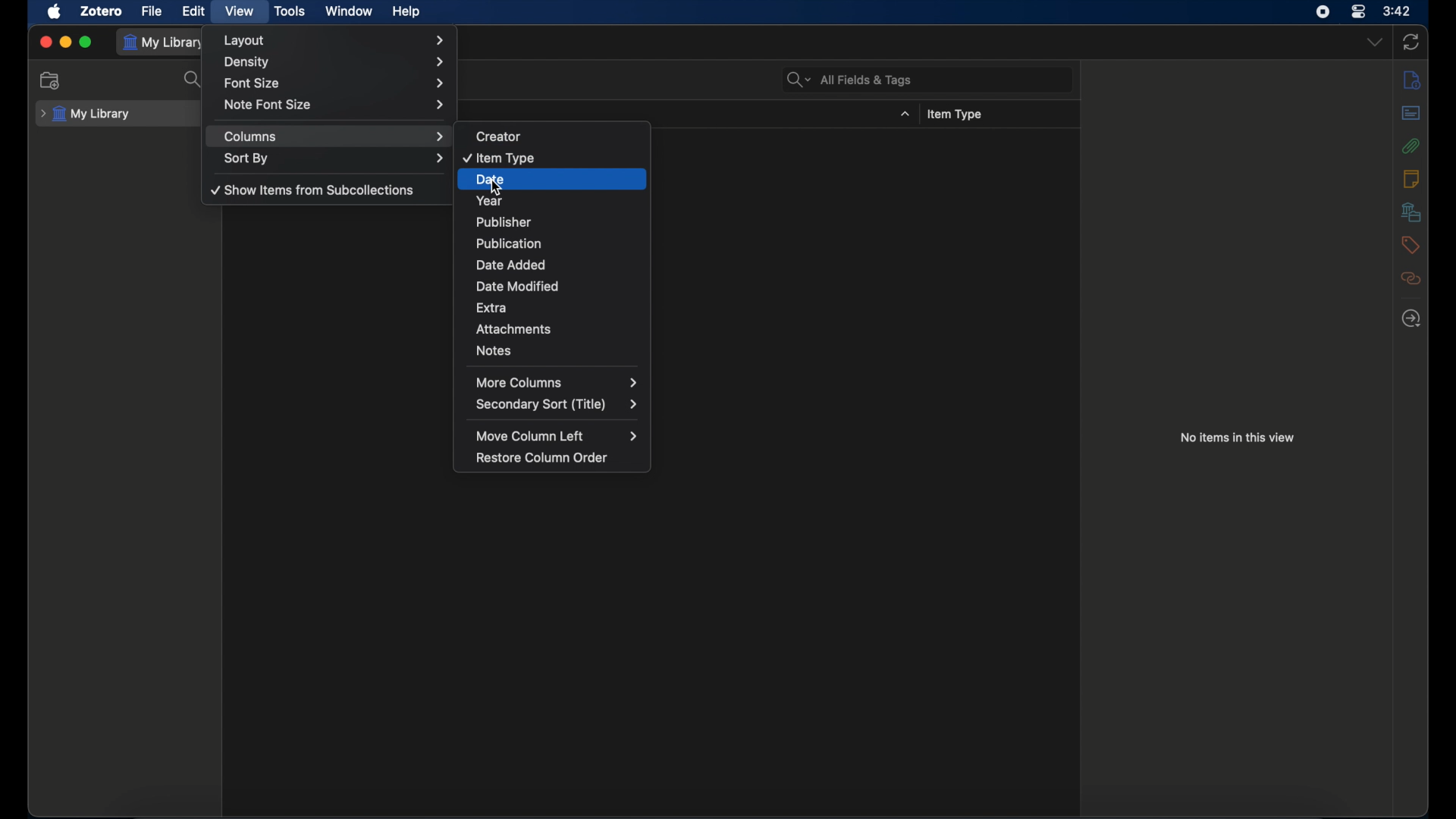 The width and height of the screenshot is (1456, 819). I want to click on my library, so click(85, 114).